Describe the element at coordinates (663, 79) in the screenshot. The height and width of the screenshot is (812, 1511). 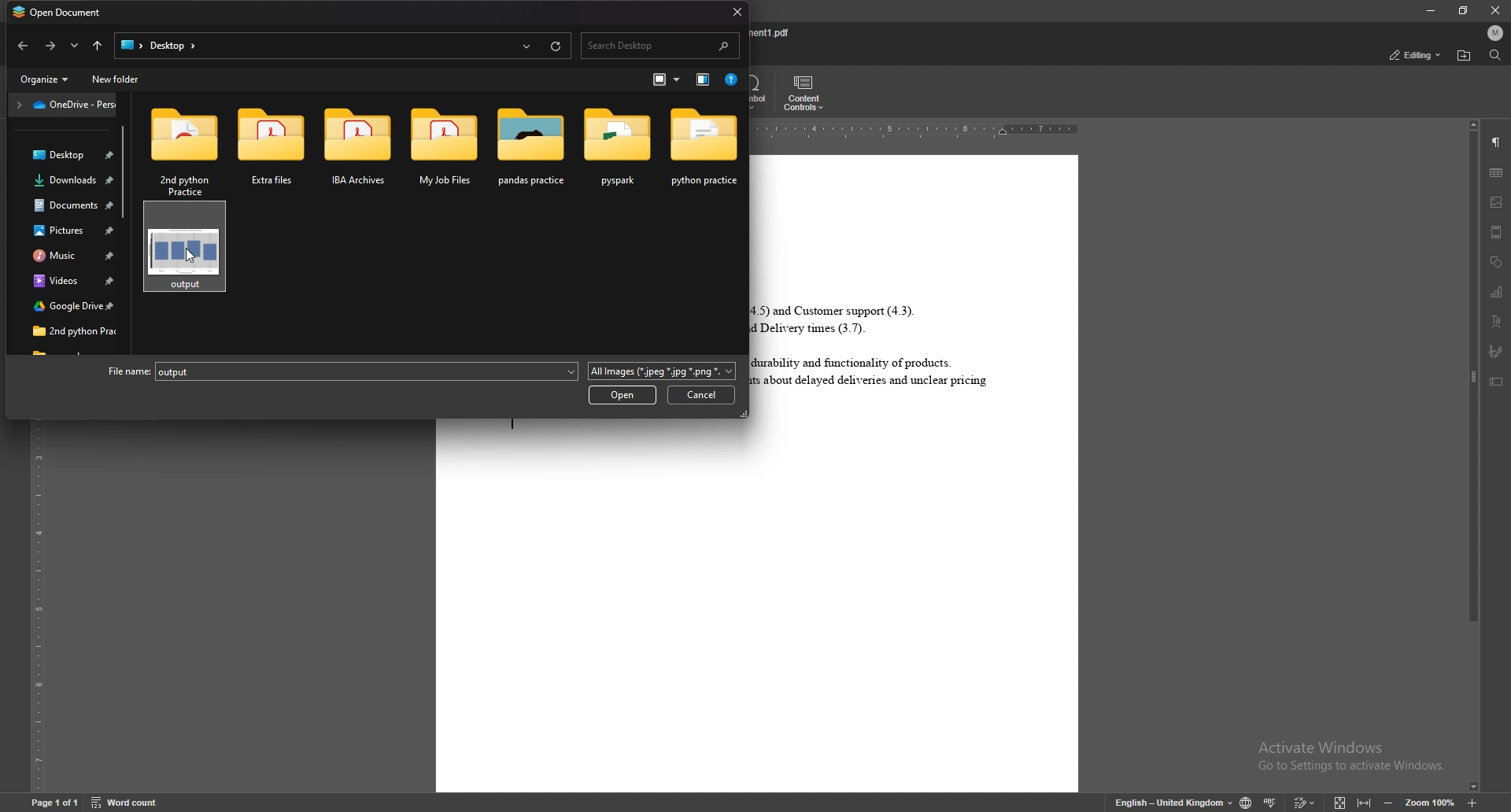
I see `icon size` at that location.